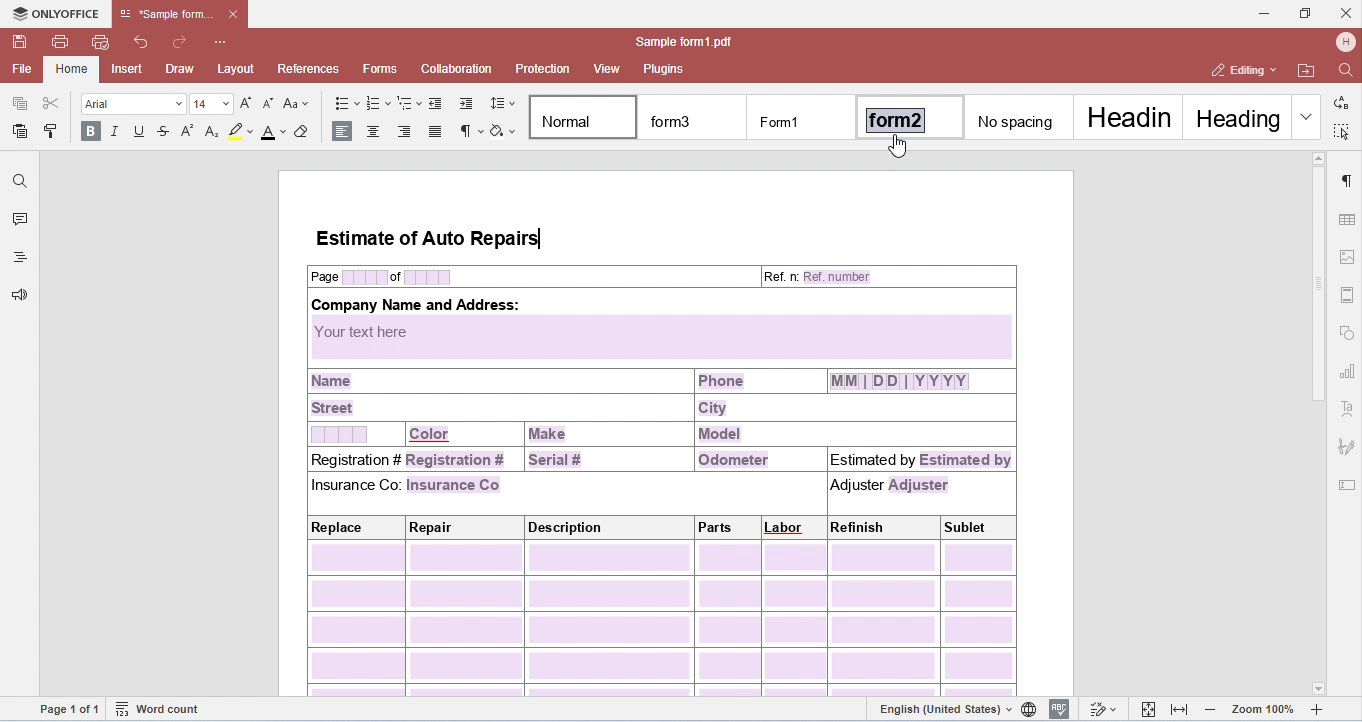 The image size is (1362, 722). Describe the element at coordinates (665, 68) in the screenshot. I see `plugins` at that location.